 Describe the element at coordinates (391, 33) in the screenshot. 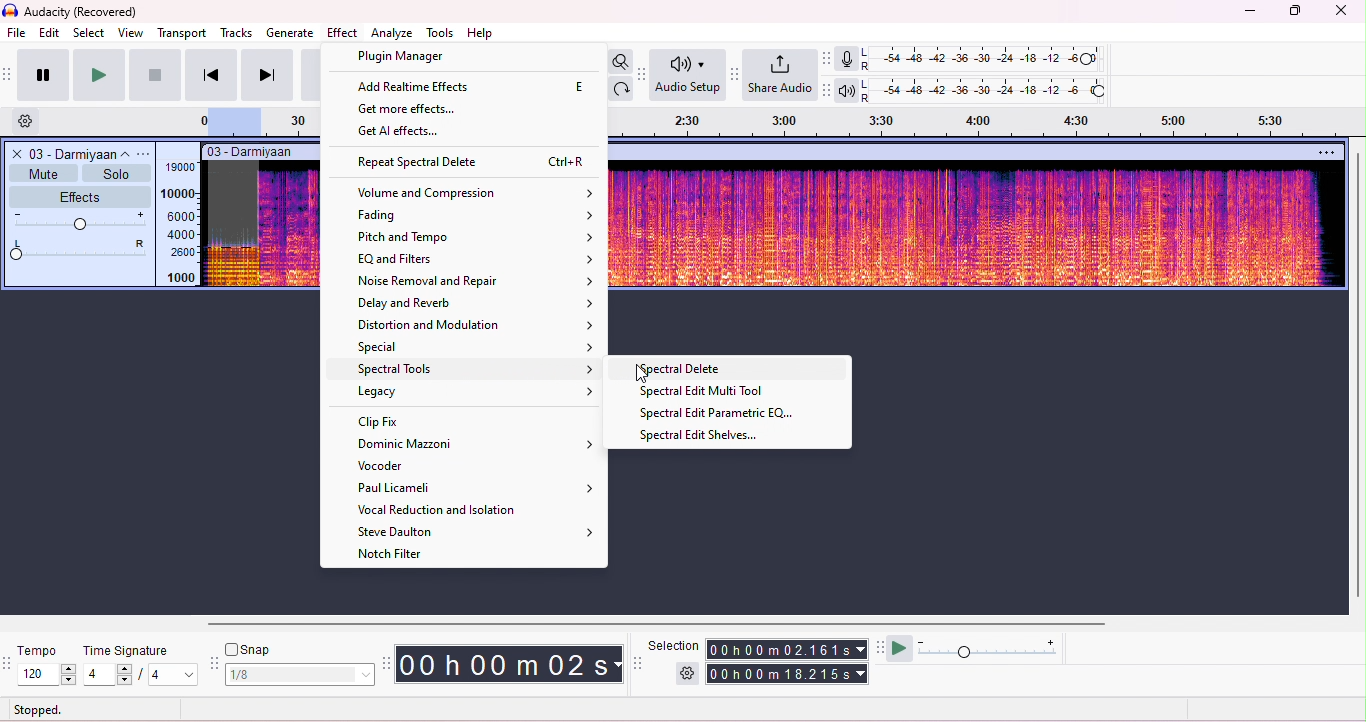

I see `analyze` at that location.